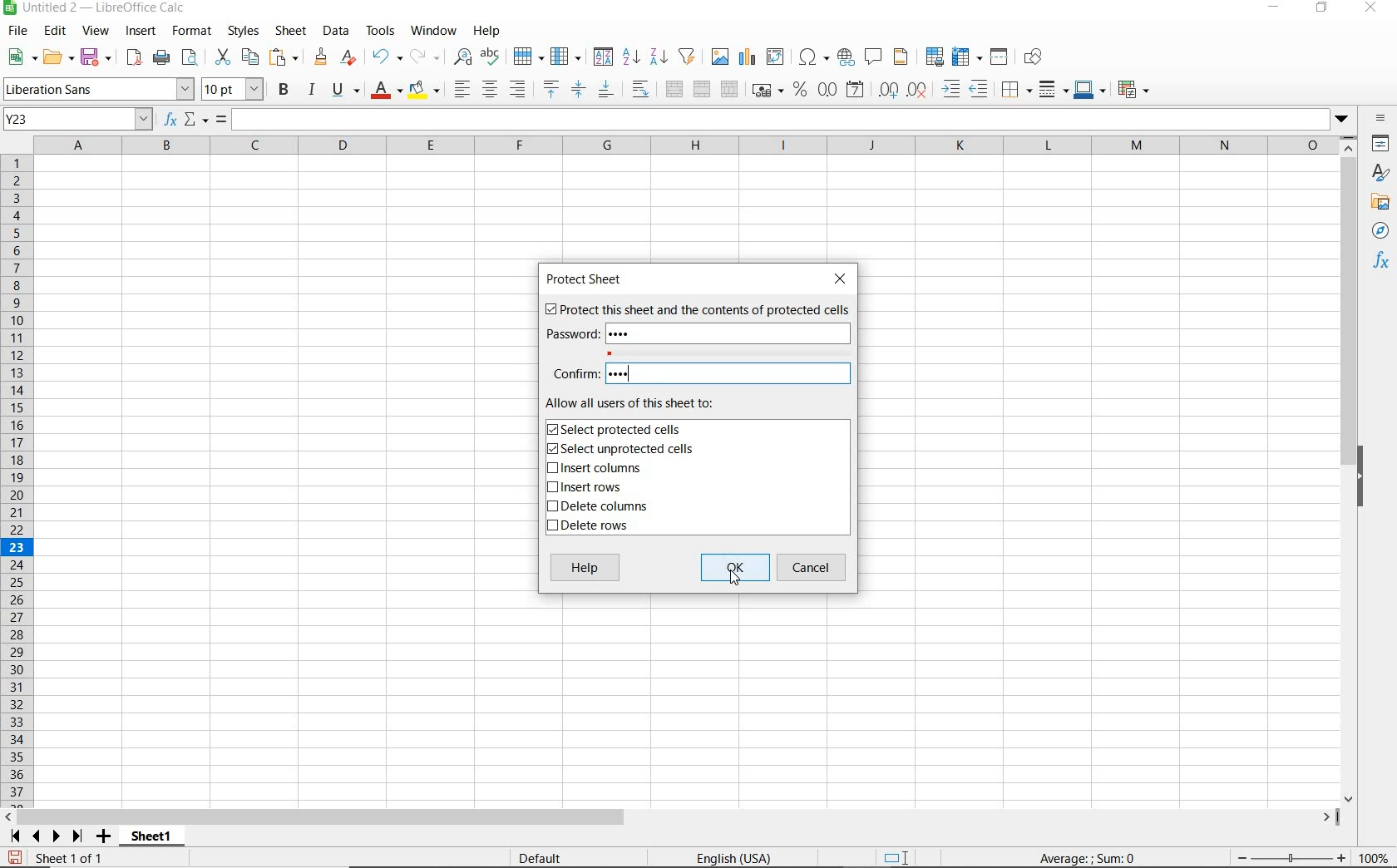 This screenshot has width=1397, height=868. What do you see at coordinates (234, 91) in the screenshot?
I see `FONT SIZE` at bounding box center [234, 91].